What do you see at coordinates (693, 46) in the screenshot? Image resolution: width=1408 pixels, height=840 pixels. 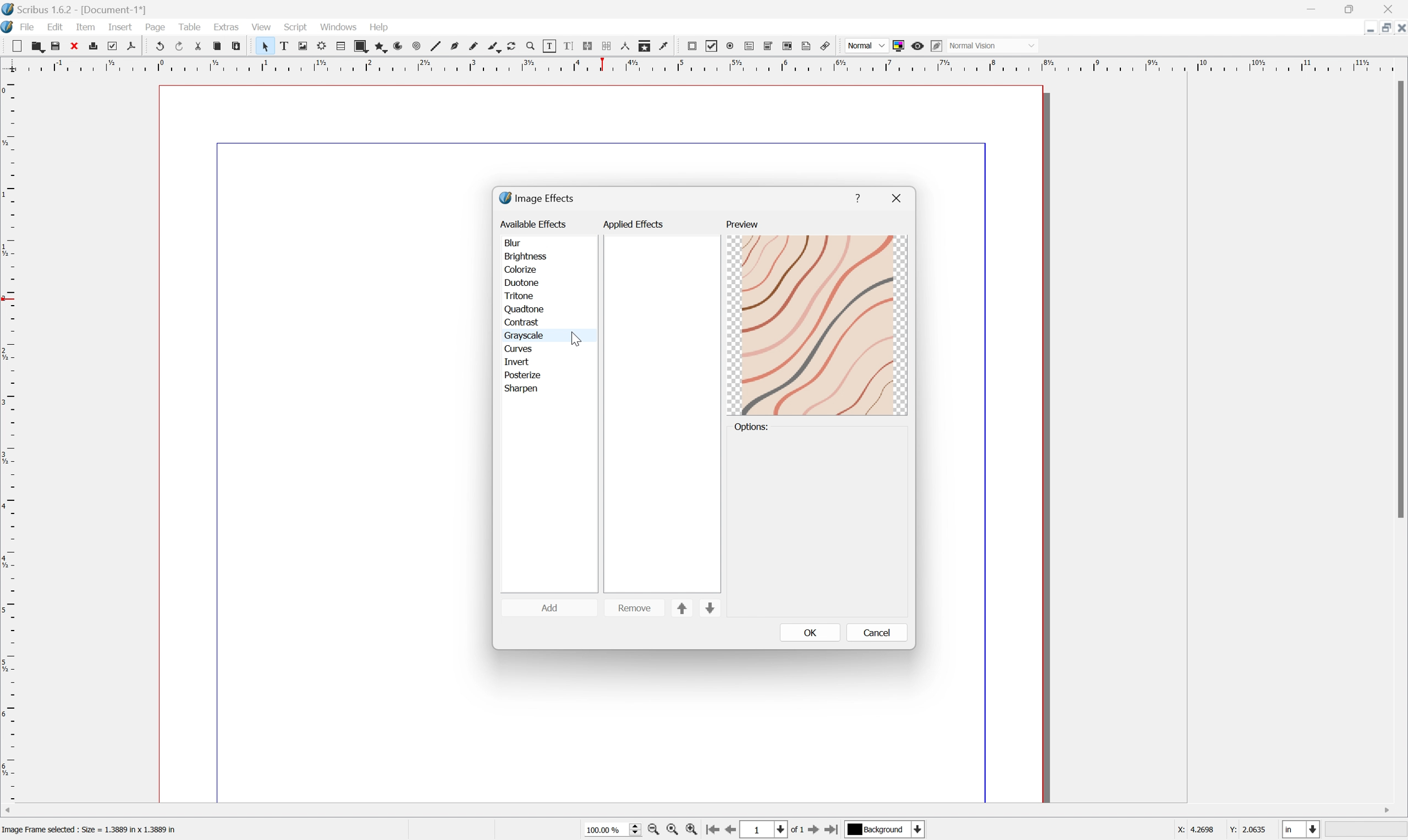 I see `PDF push button` at bounding box center [693, 46].